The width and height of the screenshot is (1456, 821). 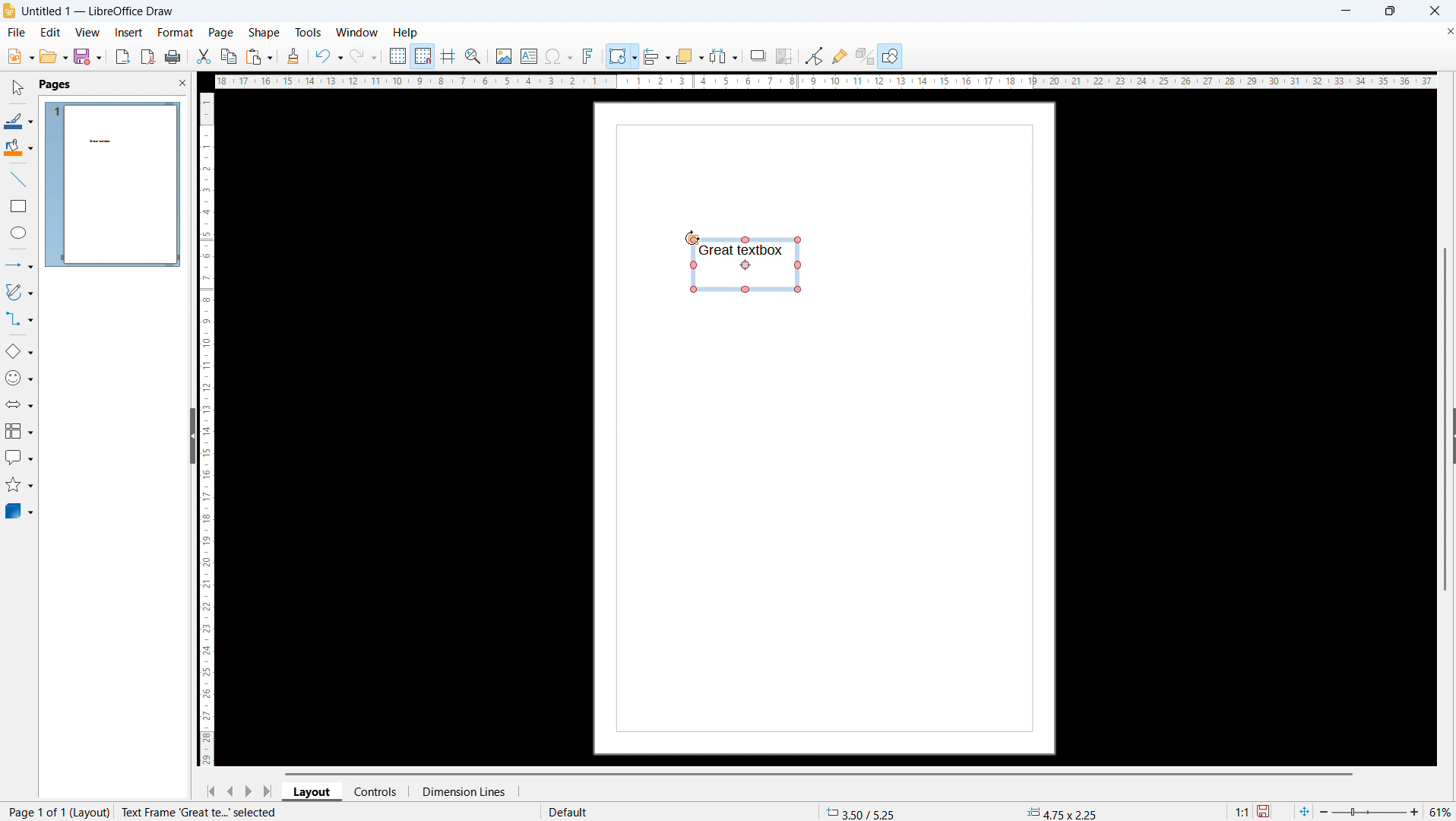 I want to click on vertical ruler, so click(x=207, y=428).